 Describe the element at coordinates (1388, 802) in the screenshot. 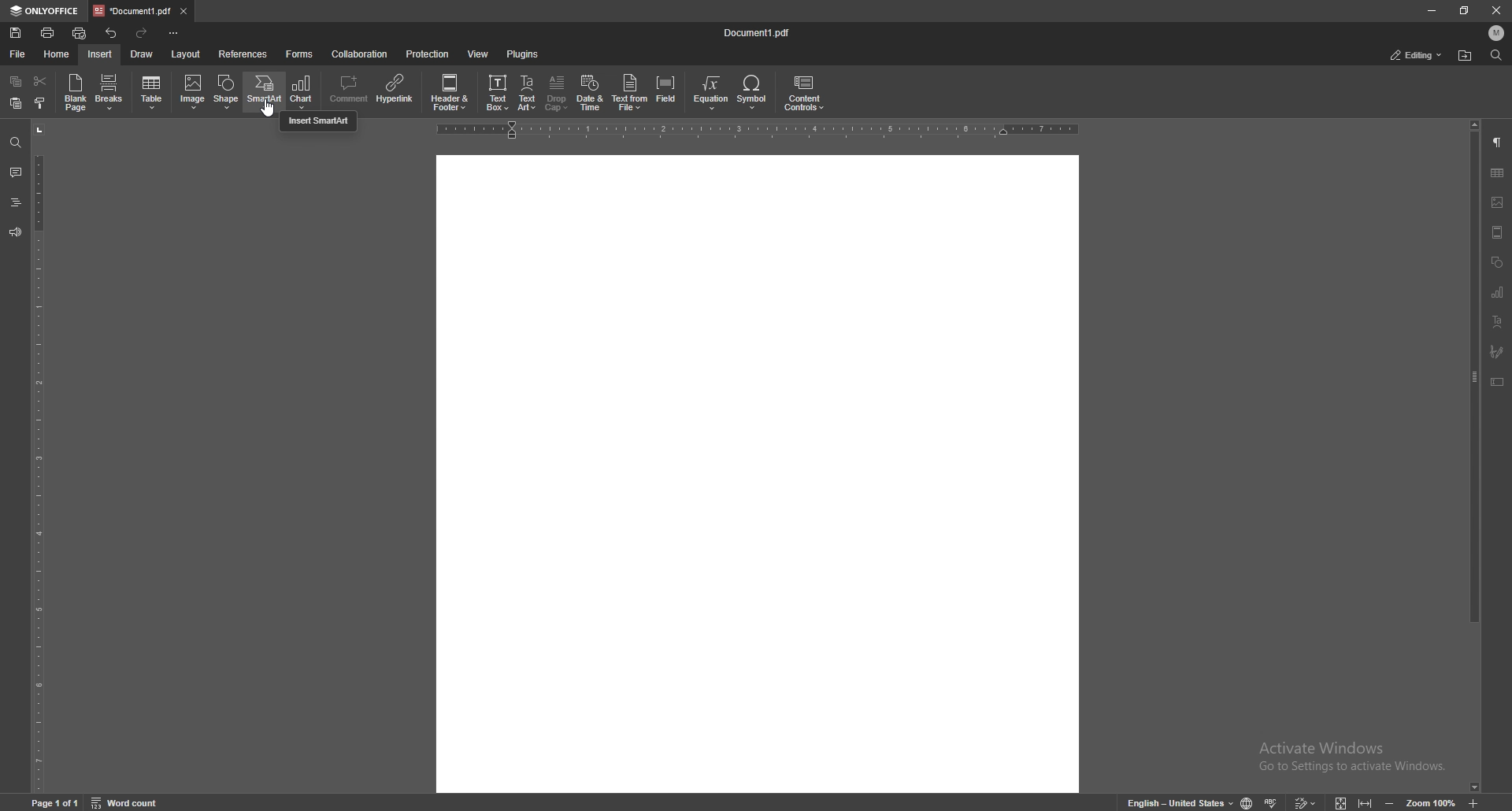

I see `zoom out` at that location.